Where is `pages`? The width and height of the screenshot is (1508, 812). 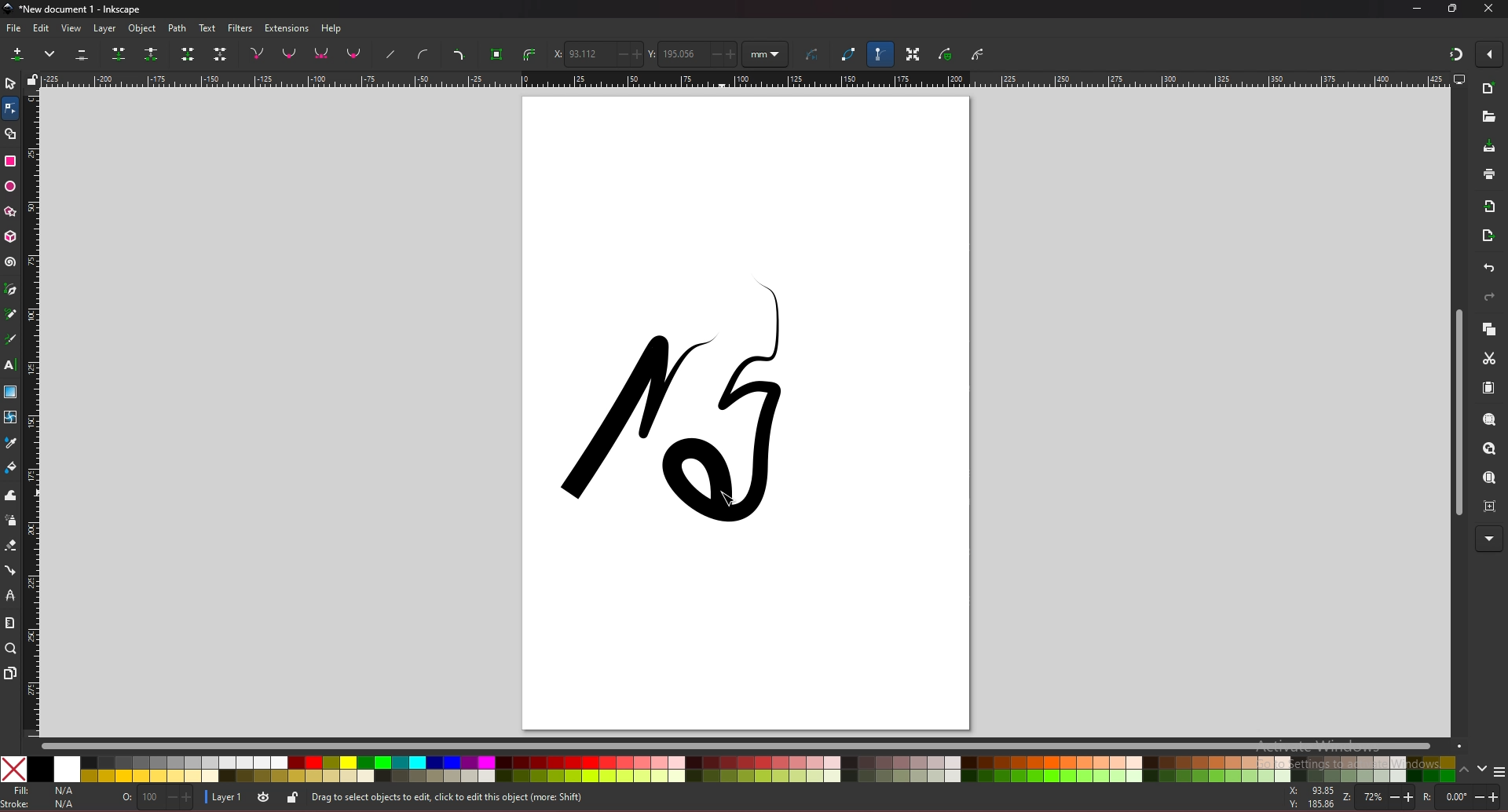 pages is located at coordinates (11, 673).